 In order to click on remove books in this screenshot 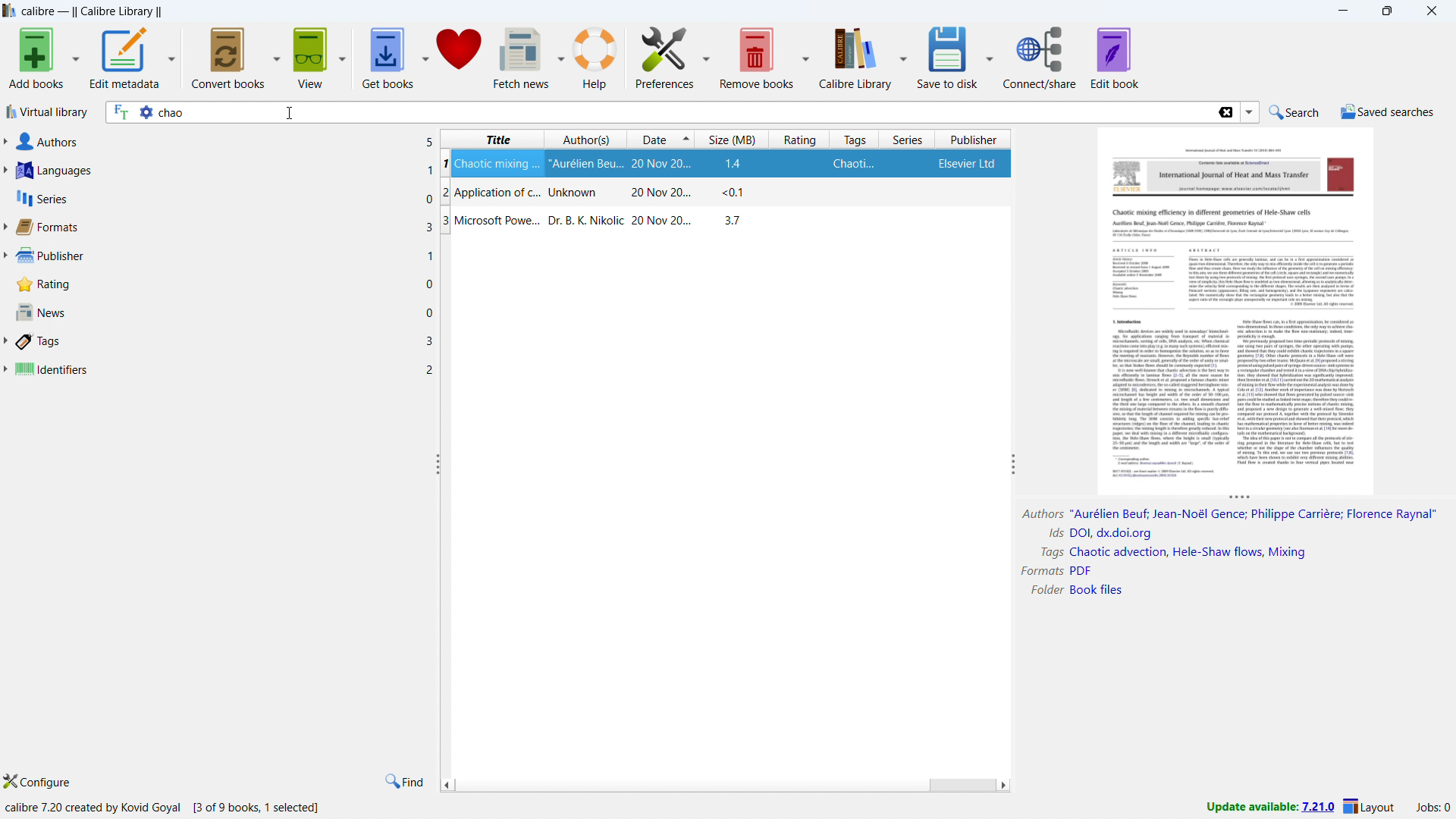, I will do `click(758, 57)`.